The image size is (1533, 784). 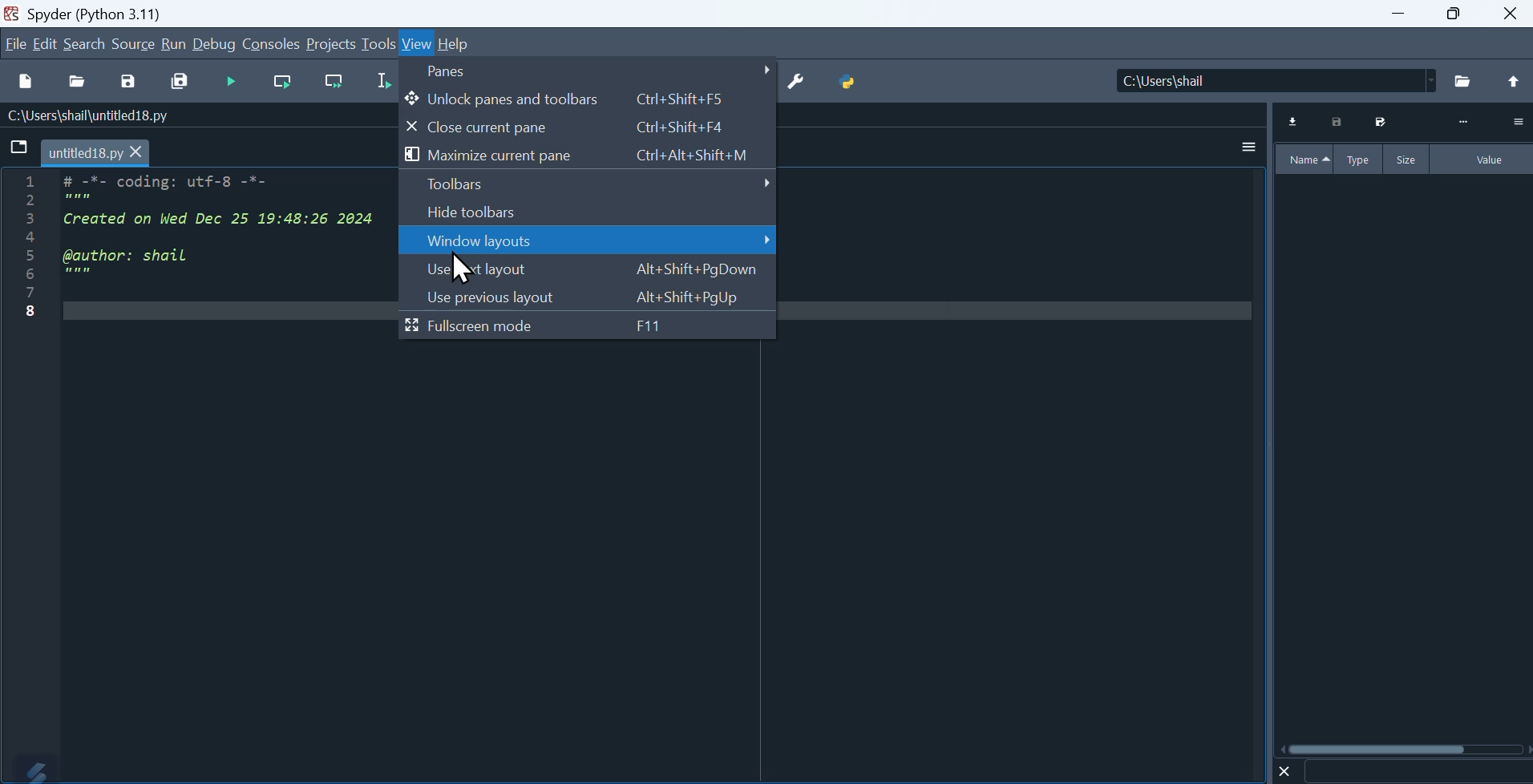 I want to click on Close, so click(x=1285, y=770).